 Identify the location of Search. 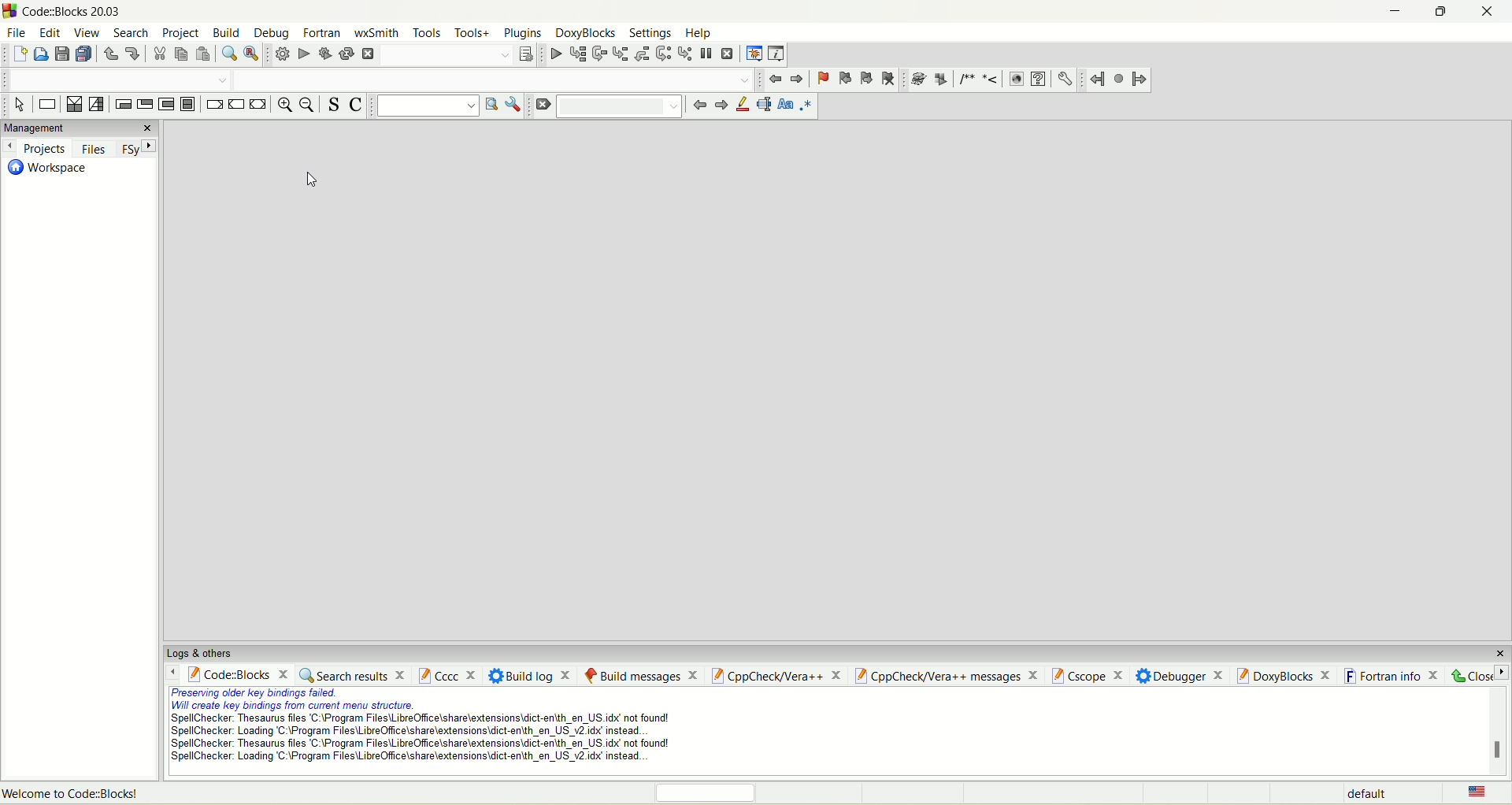
(624, 106).